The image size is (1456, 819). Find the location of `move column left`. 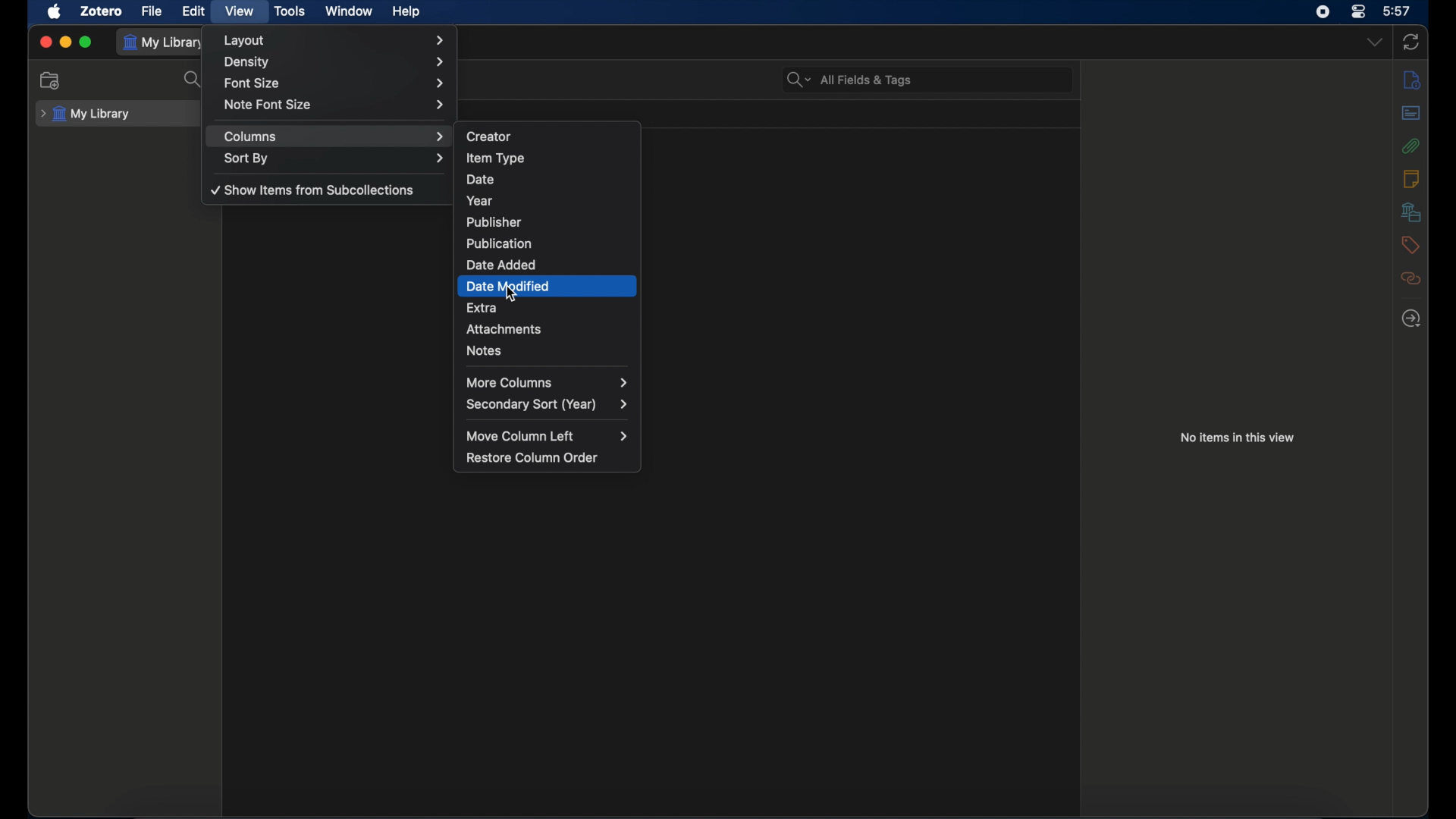

move column left is located at coordinates (547, 437).